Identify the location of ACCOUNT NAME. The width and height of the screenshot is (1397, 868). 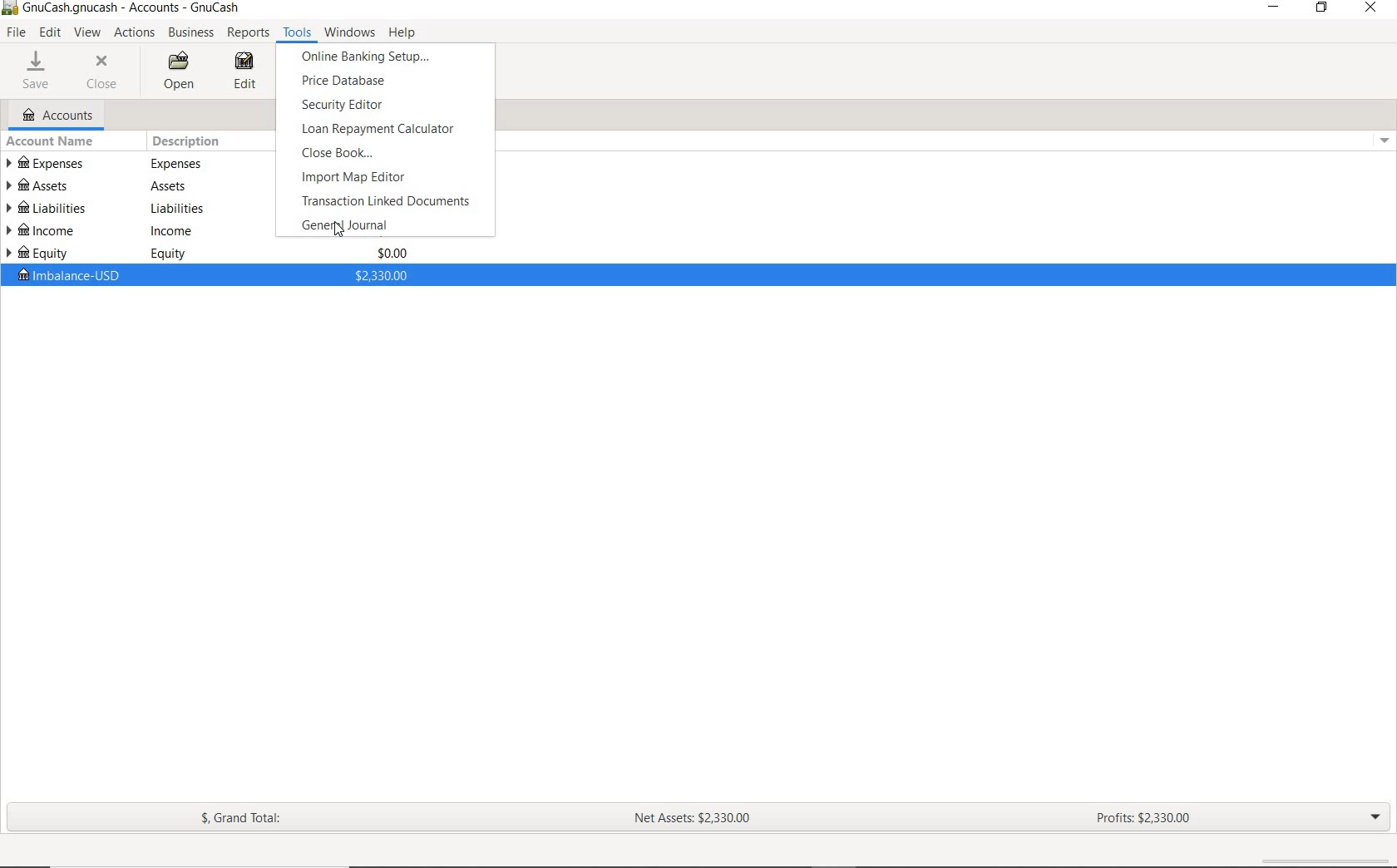
(137, 141).